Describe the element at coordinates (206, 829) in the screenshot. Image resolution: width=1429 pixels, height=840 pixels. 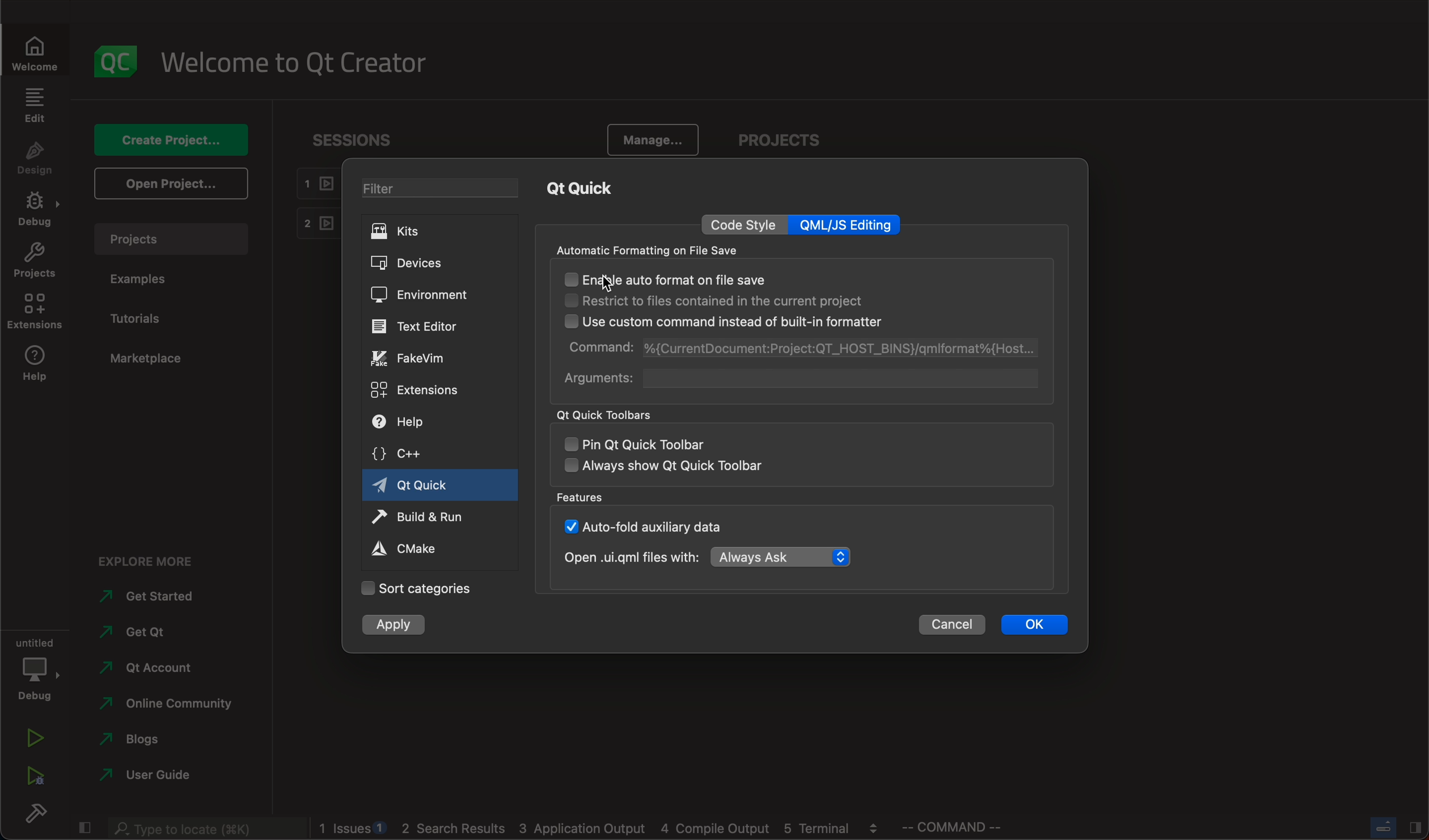
I see `search bar` at that location.